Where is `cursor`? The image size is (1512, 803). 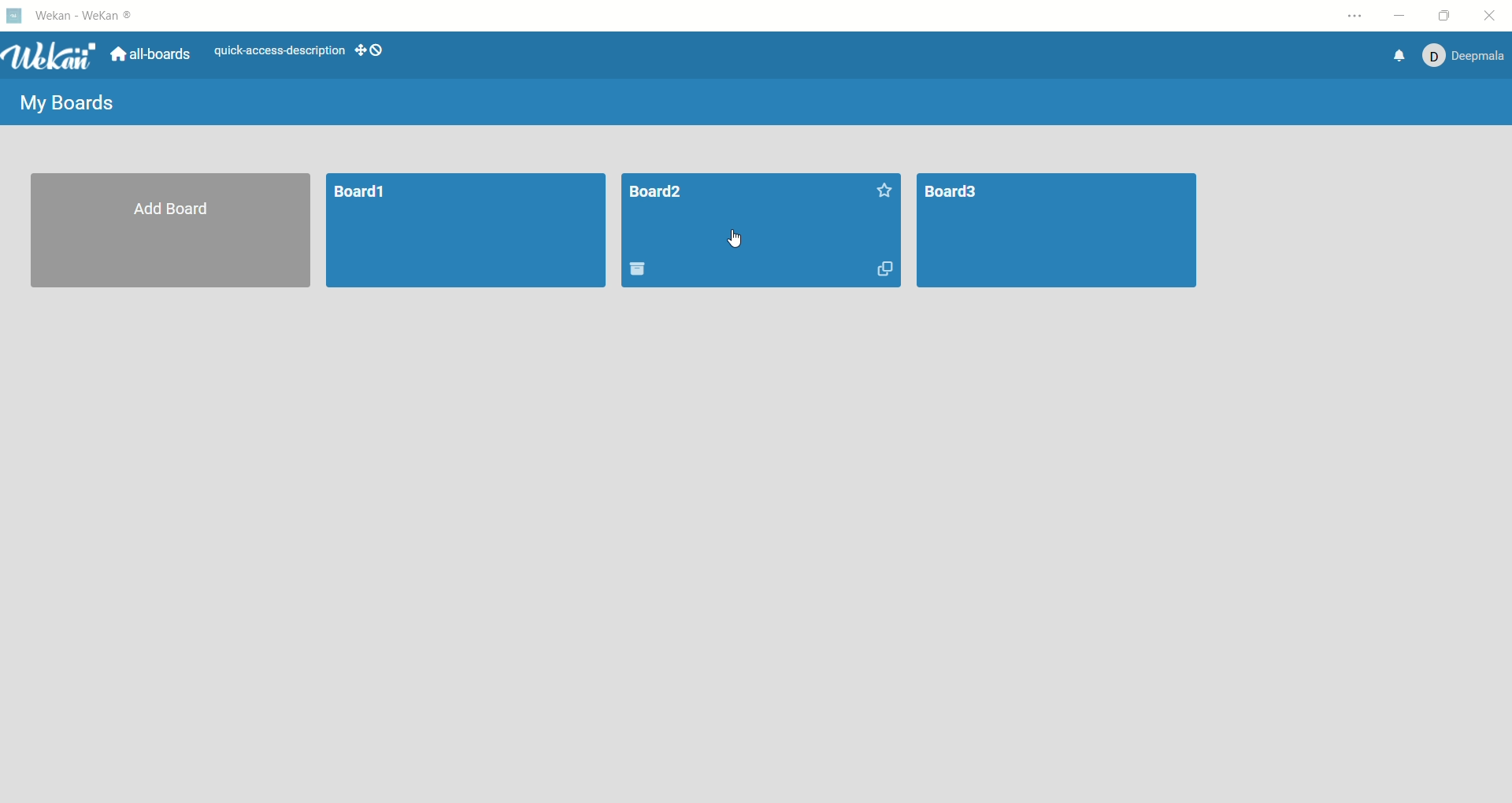
cursor is located at coordinates (729, 238).